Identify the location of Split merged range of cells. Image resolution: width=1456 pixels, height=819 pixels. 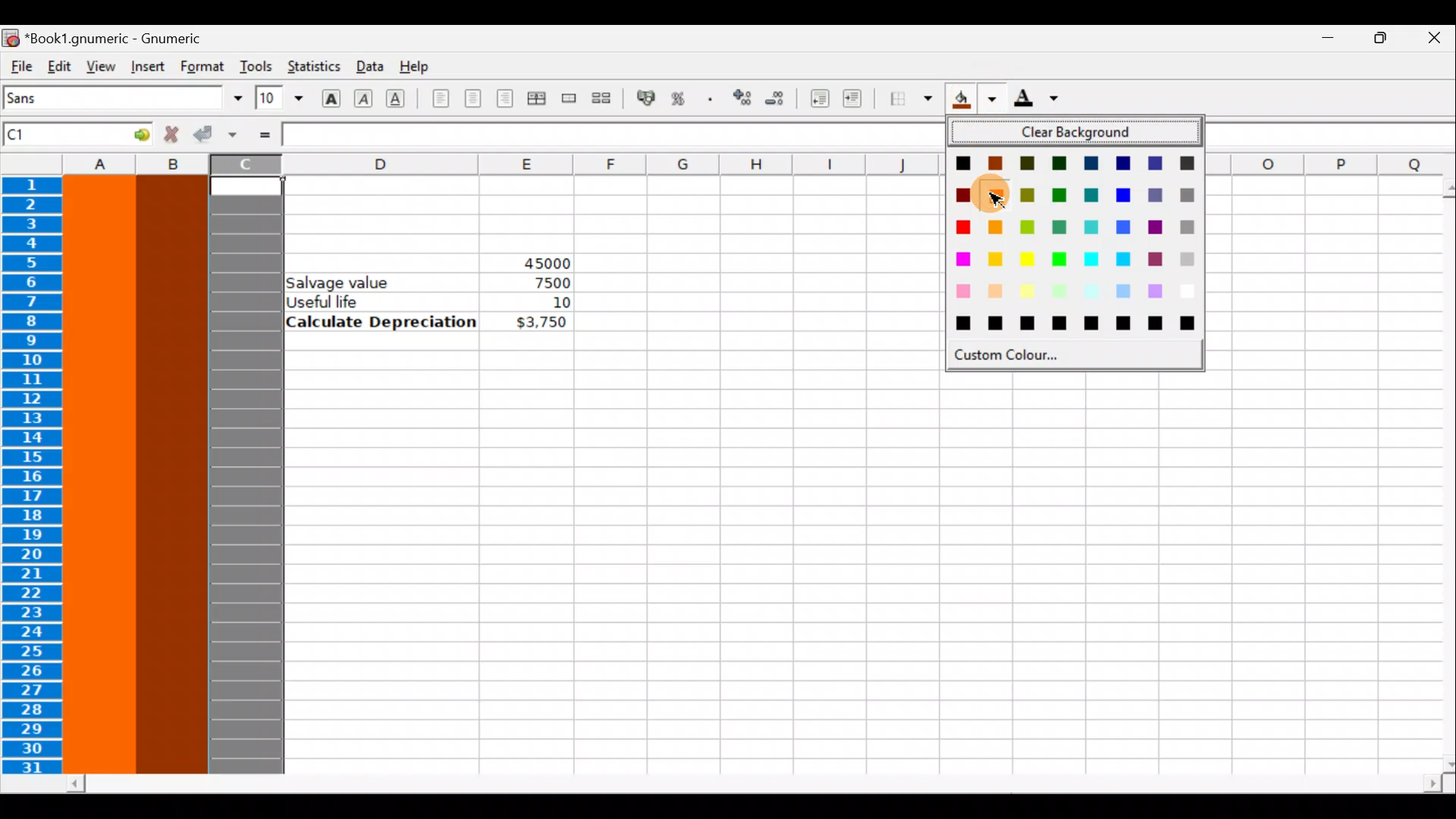
(602, 97).